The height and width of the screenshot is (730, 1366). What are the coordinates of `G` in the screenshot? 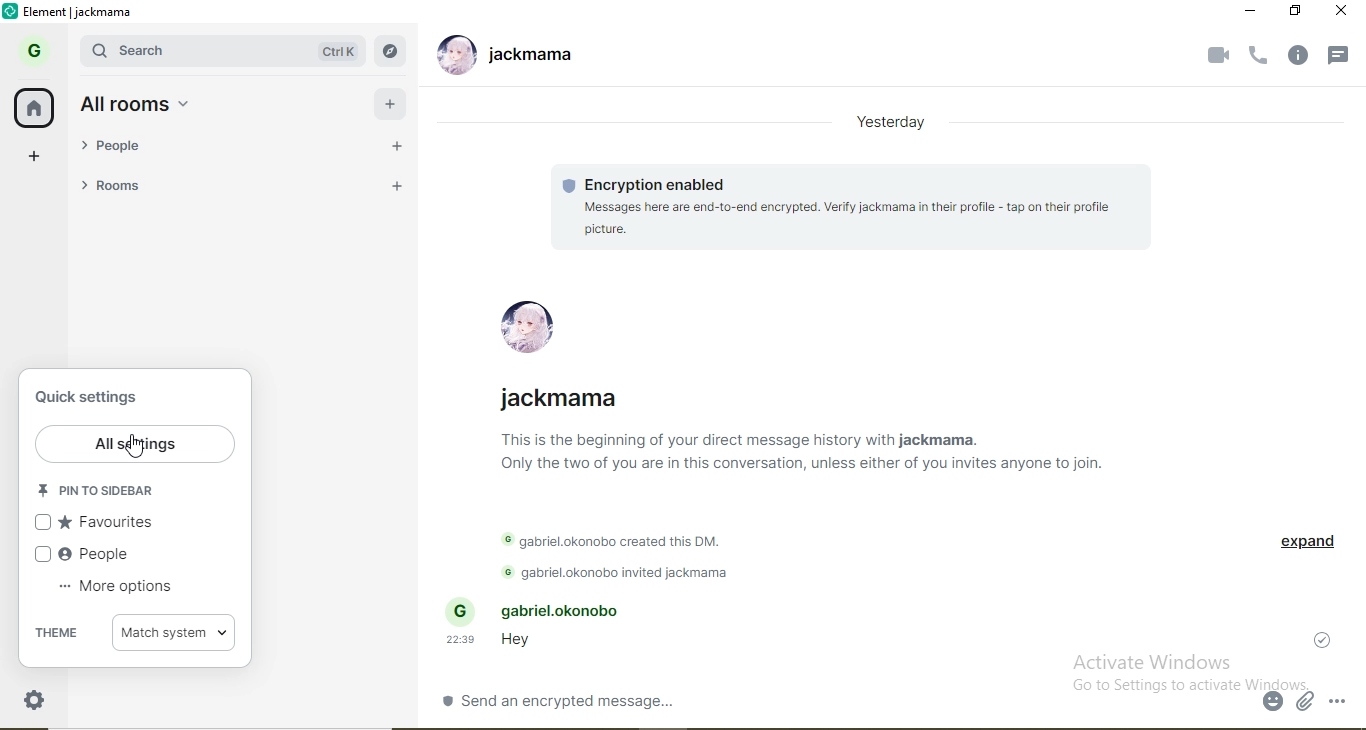 It's located at (30, 52).